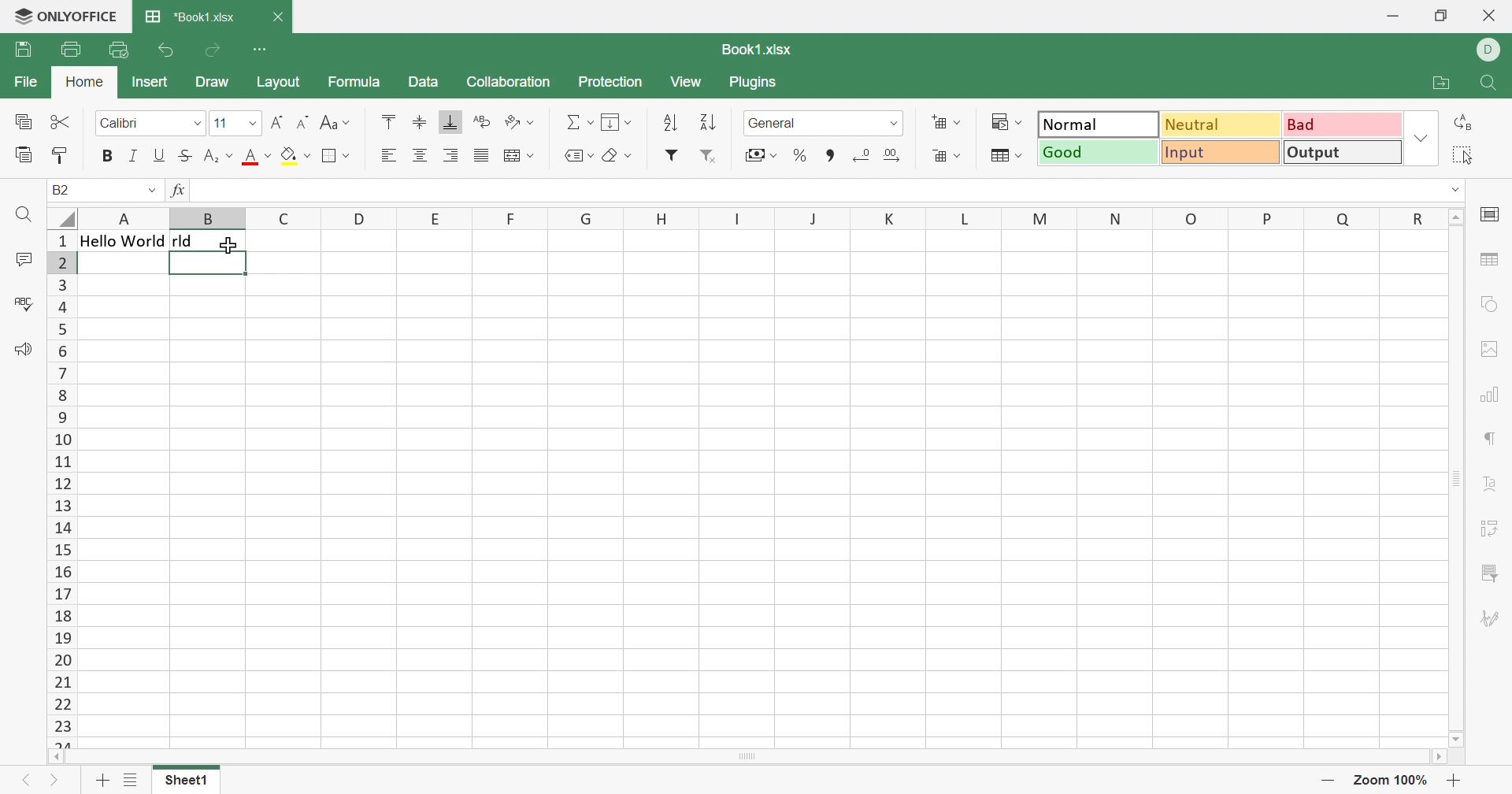 This screenshot has height=794, width=1512. What do you see at coordinates (158, 155) in the screenshot?
I see `Underline` at bounding box center [158, 155].